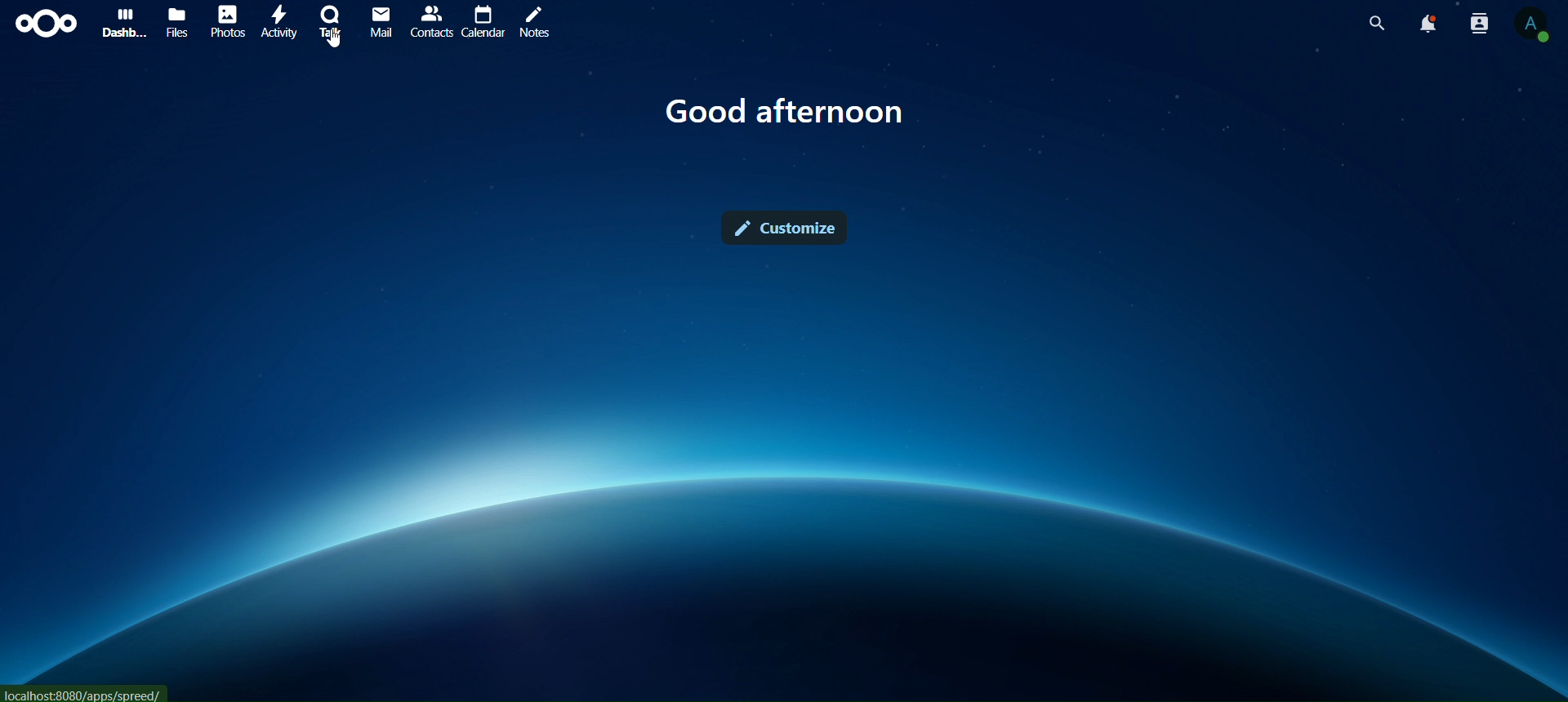 This screenshot has height=702, width=1568. What do you see at coordinates (430, 22) in the screenshot?
I see `contacts` at bounding box center [430, 22].